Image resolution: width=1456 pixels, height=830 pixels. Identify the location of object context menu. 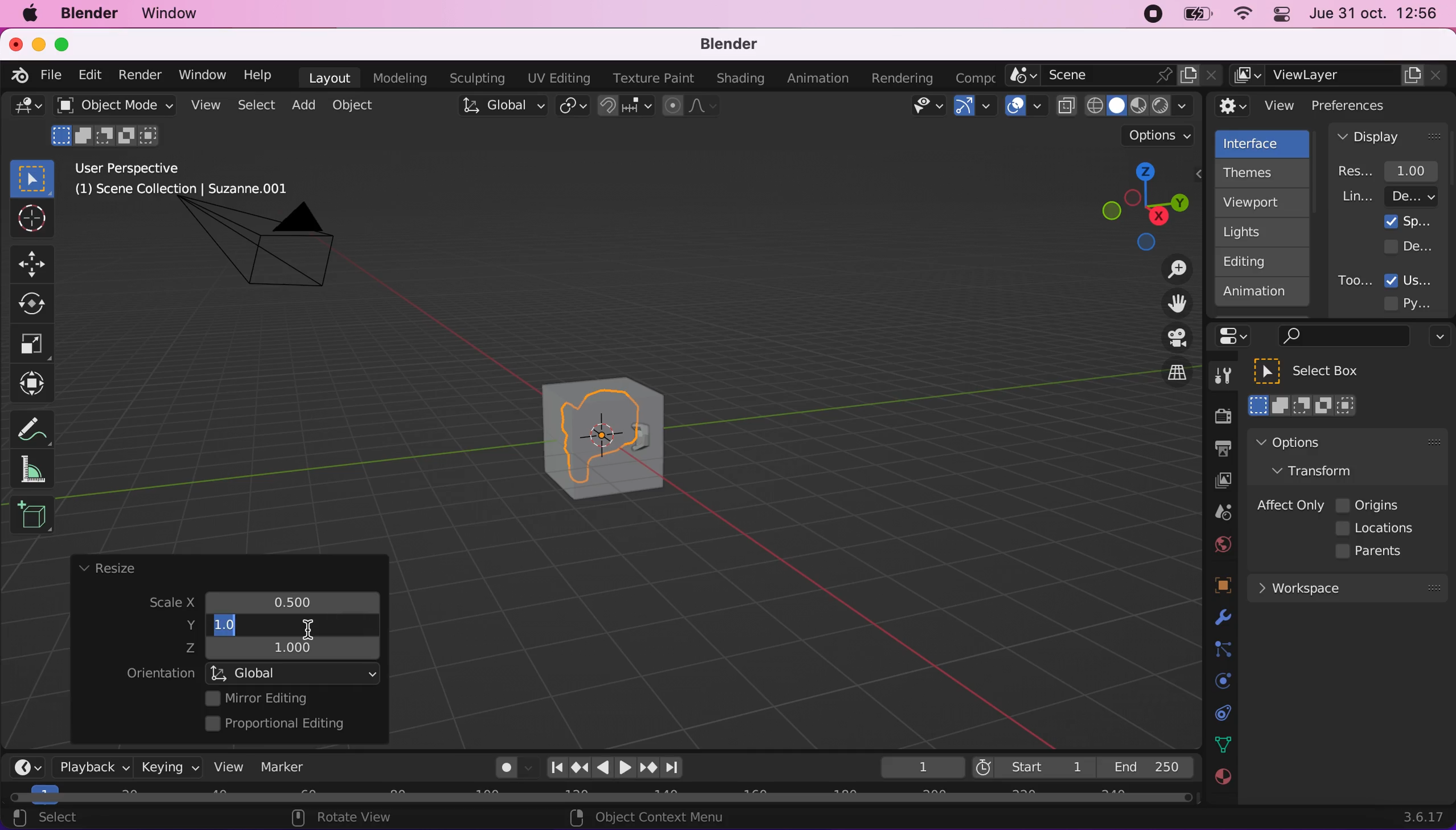
(651, 817).